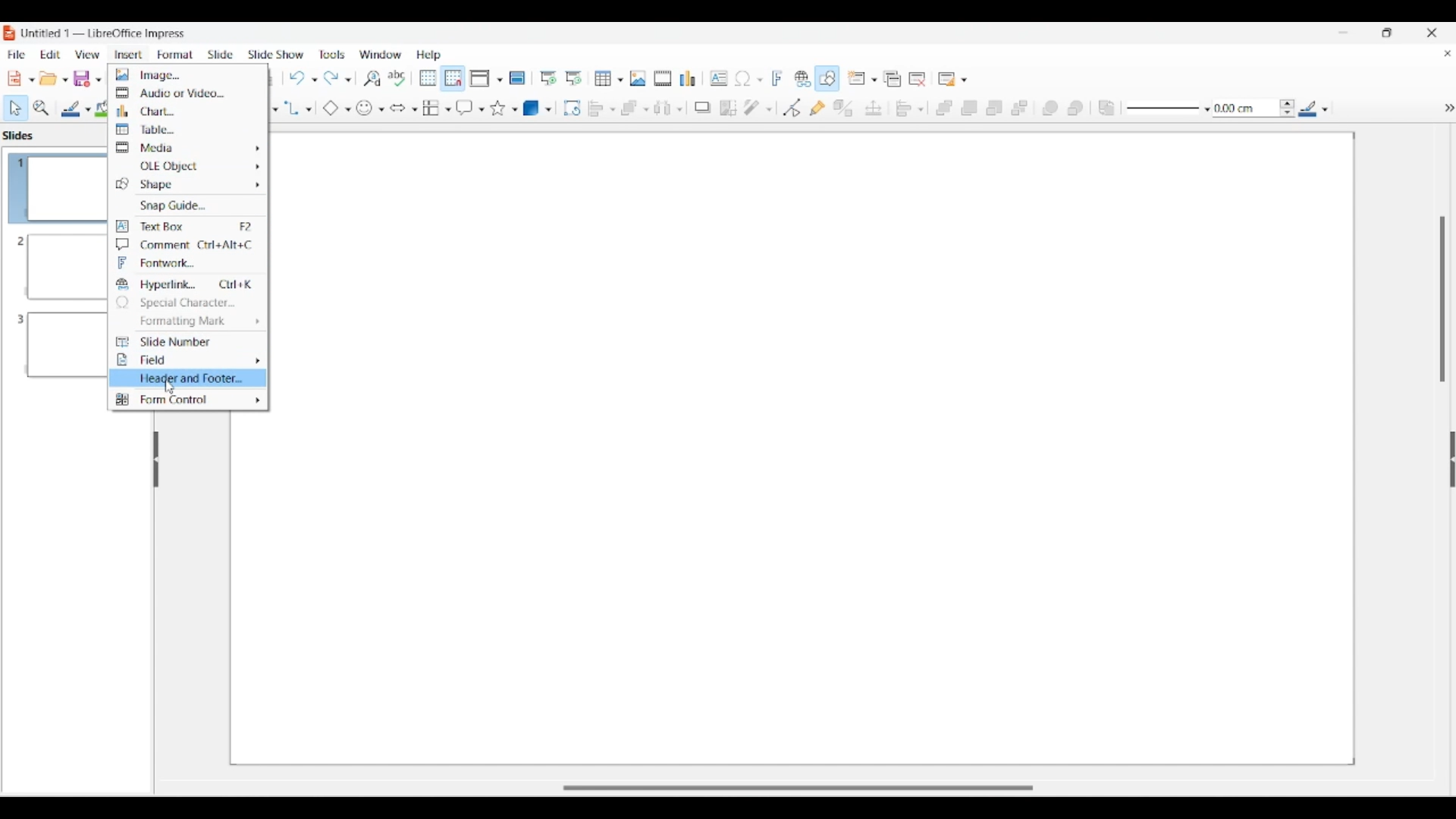  What do you see at coordinates (436, 108) in the screenshot?
I see `Flowchart options` at bounding box center [436, 108].